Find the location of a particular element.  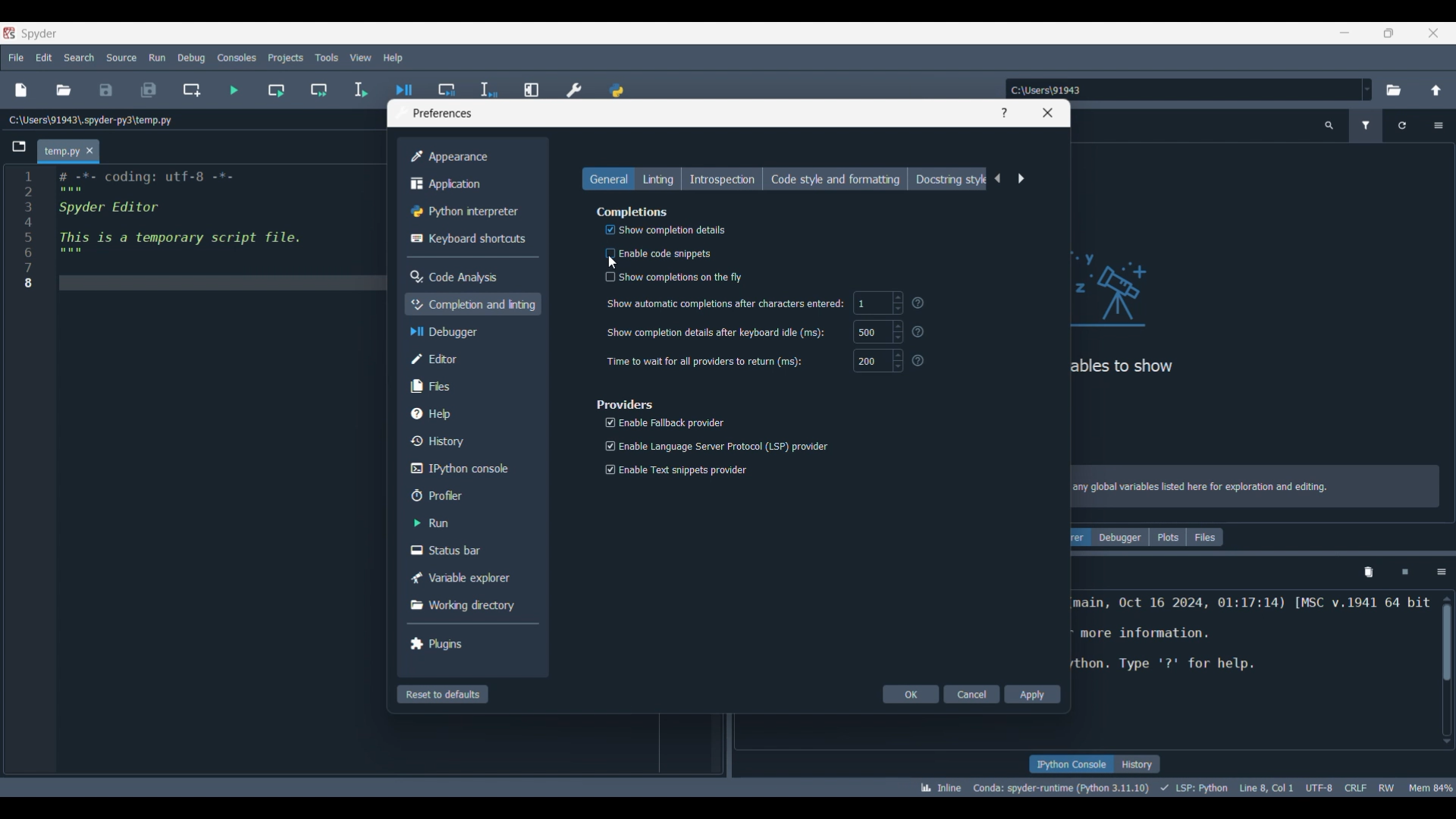

Change to parent directory is located at coordinates (1436, 90).